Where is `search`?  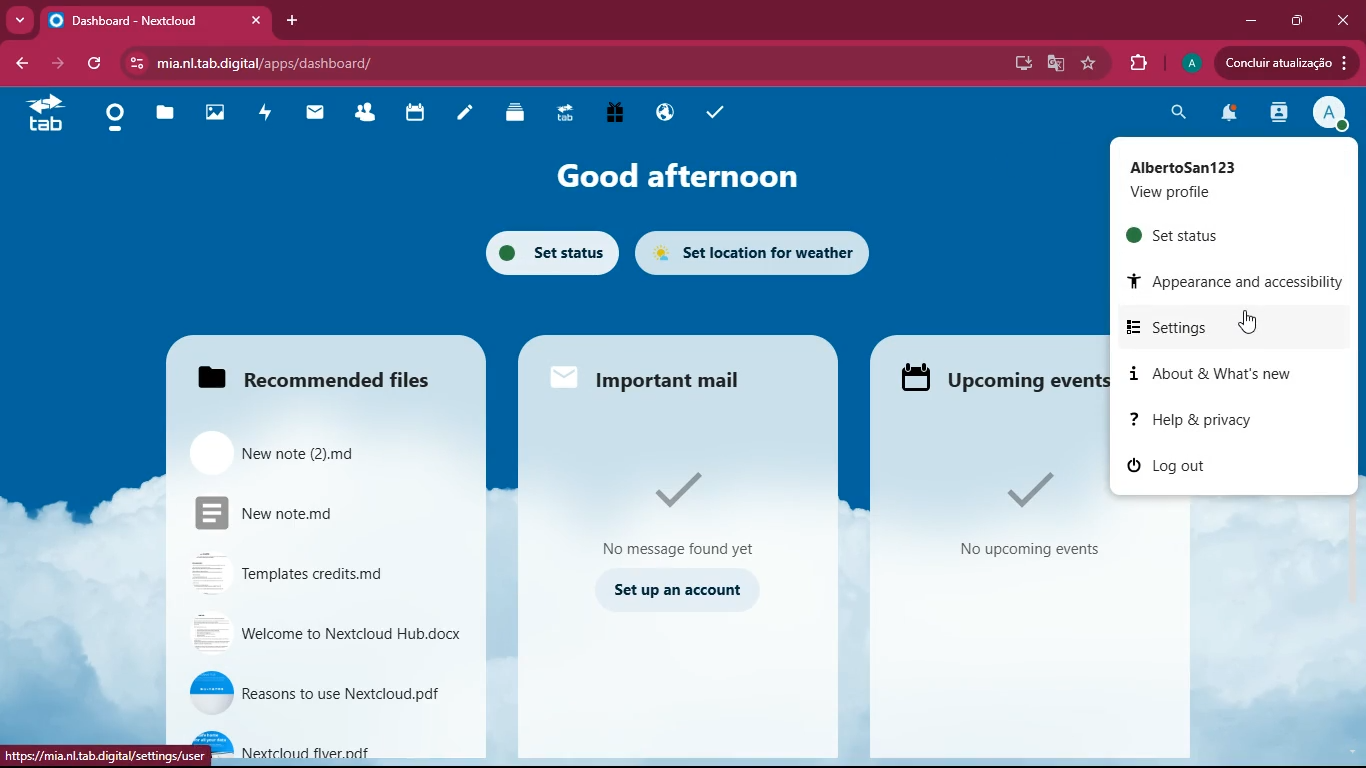
search is located at coordinates (1177, 116).